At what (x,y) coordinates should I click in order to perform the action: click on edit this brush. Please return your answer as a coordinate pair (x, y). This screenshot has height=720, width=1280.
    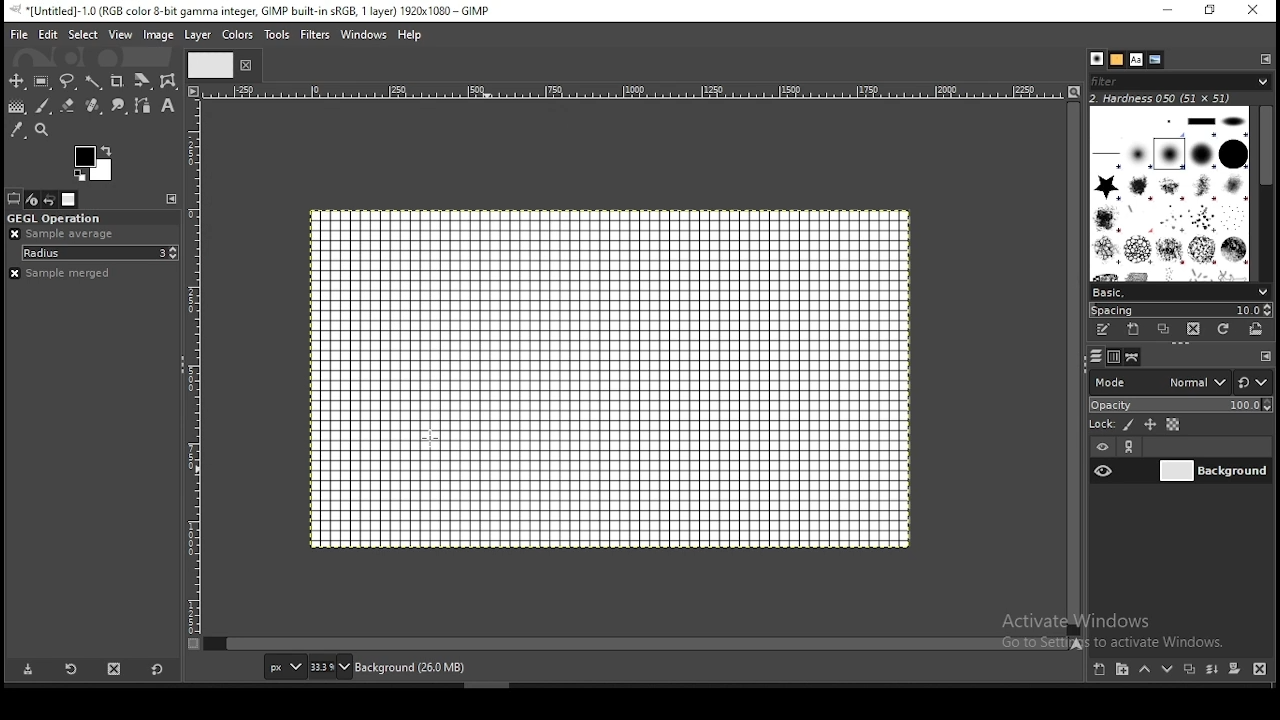
    Looking at the image, I should click on (1101, 330).